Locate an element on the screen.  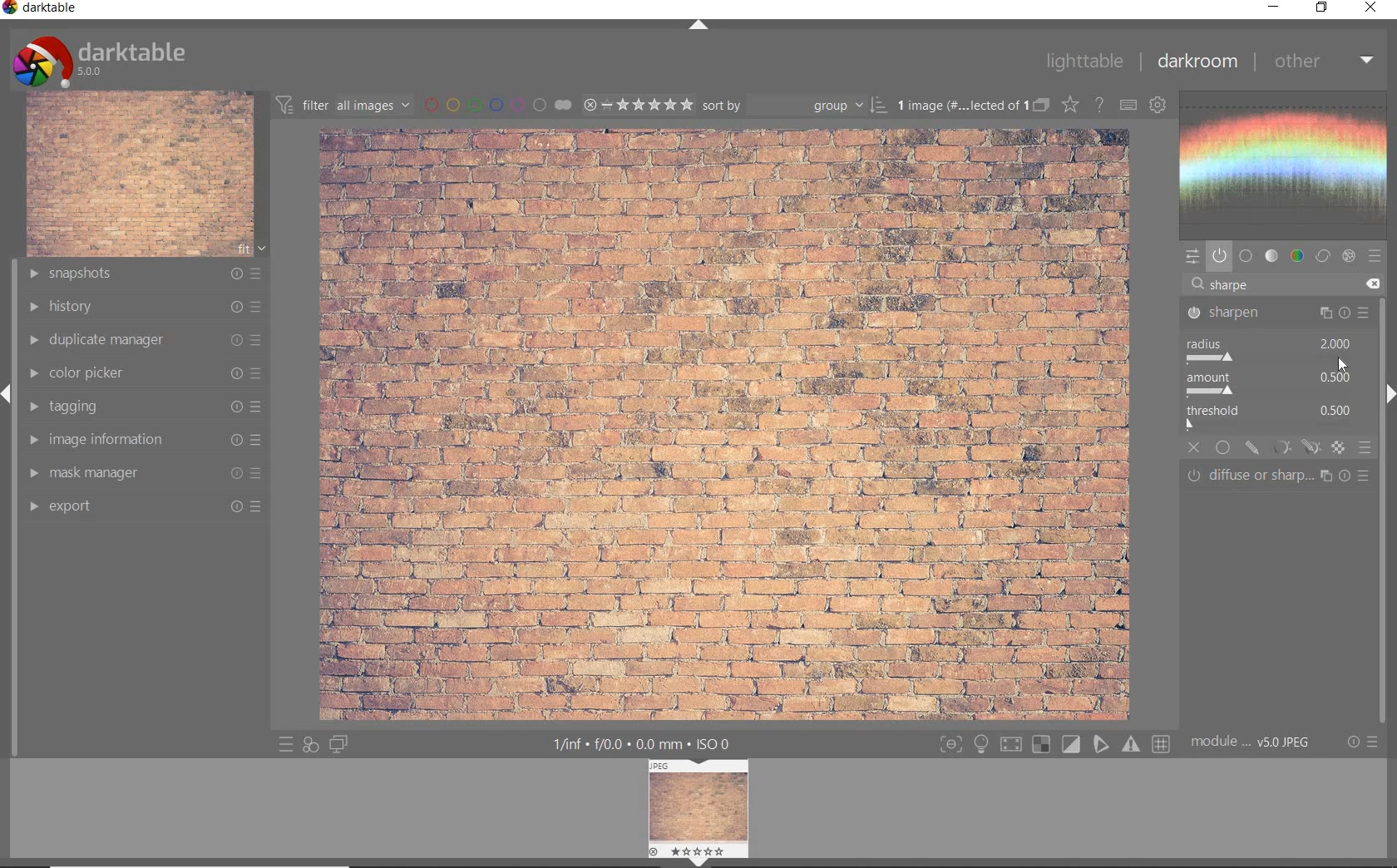
quick access for applying any style is located at coordinates (309, 747).